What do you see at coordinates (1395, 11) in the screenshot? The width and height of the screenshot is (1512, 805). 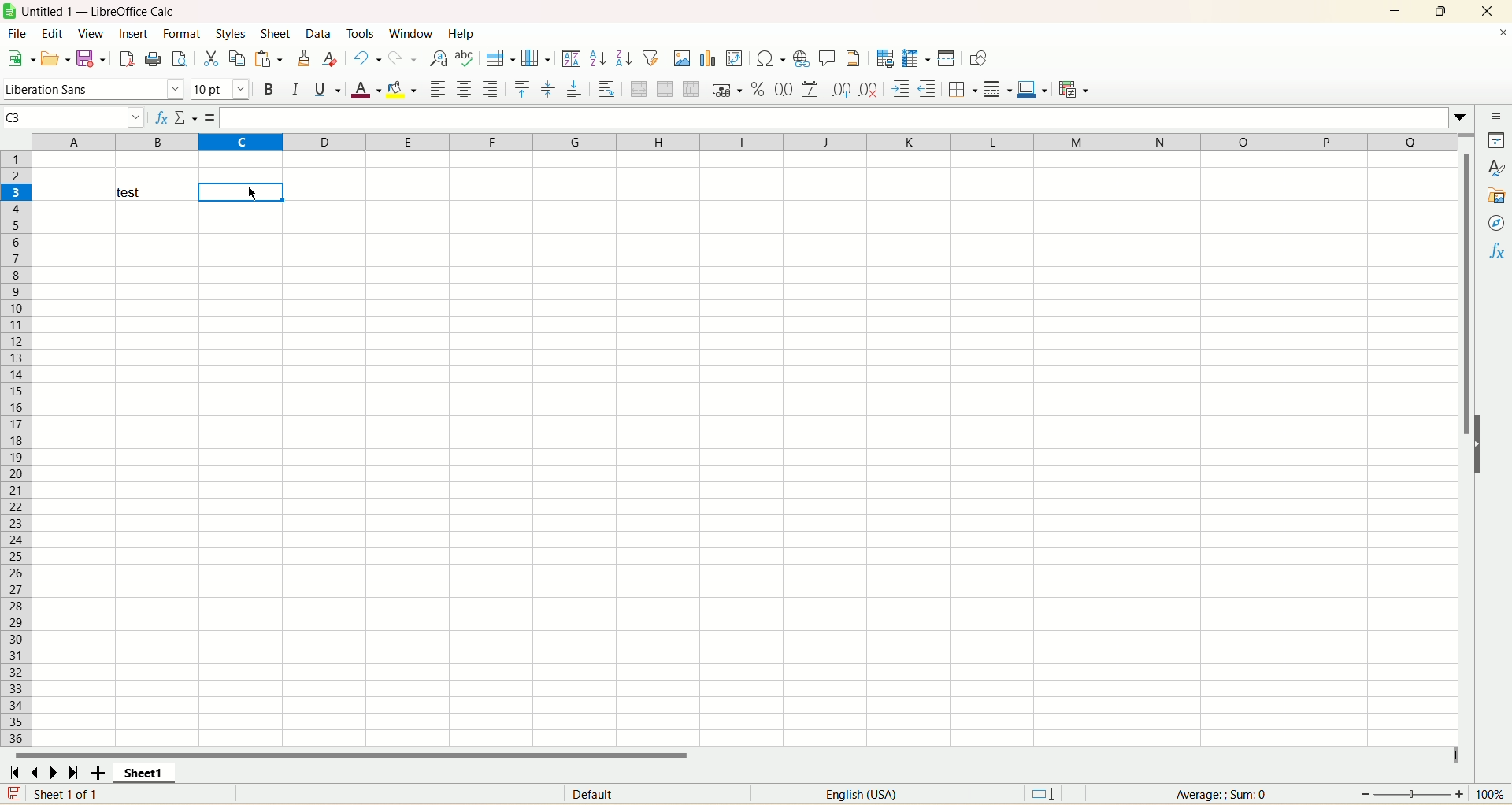 I see `minimize` at bounding box center [1395, 11].